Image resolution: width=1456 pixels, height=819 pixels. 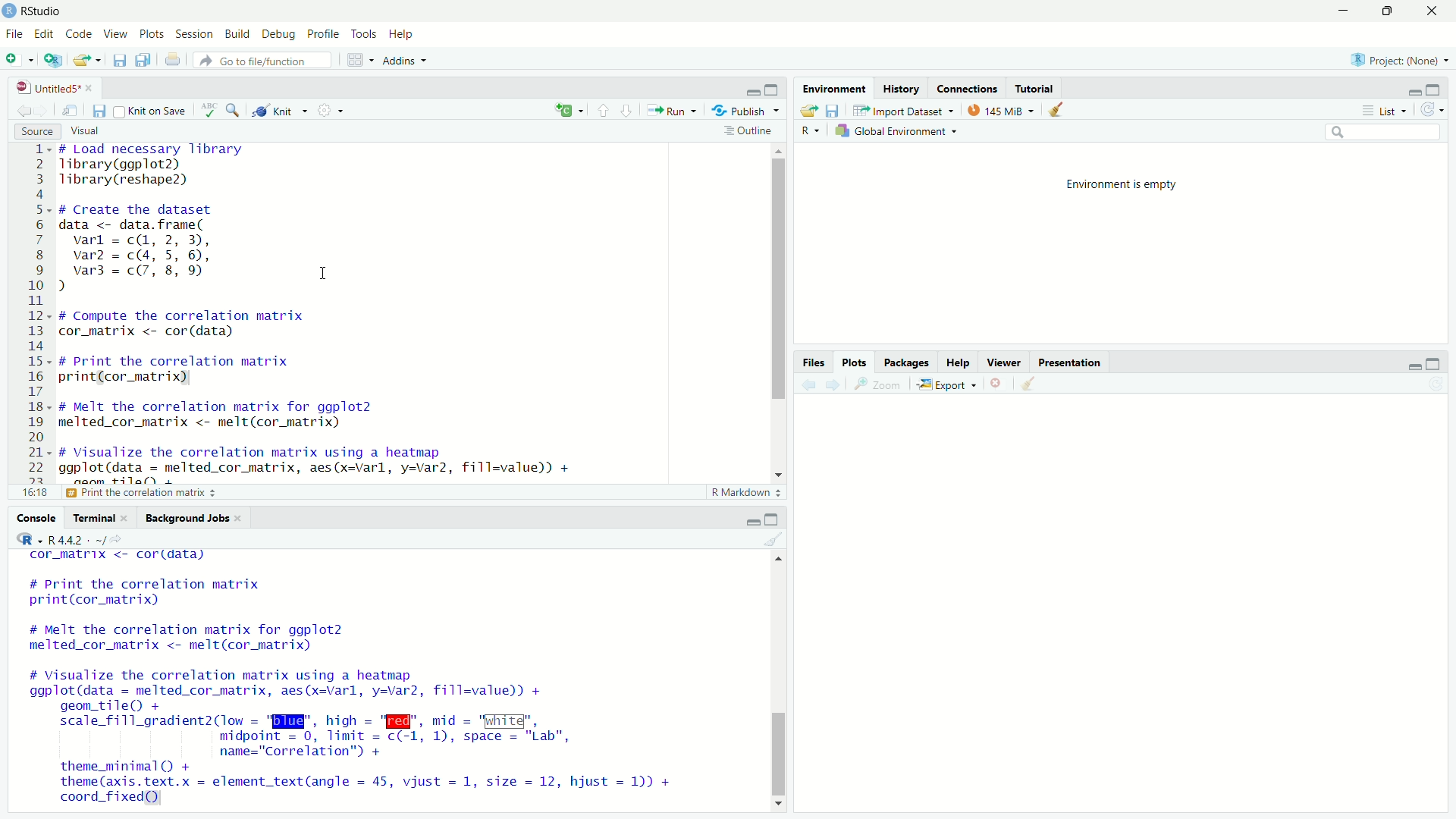 I want to click on environment, so click(x=836, y=88).